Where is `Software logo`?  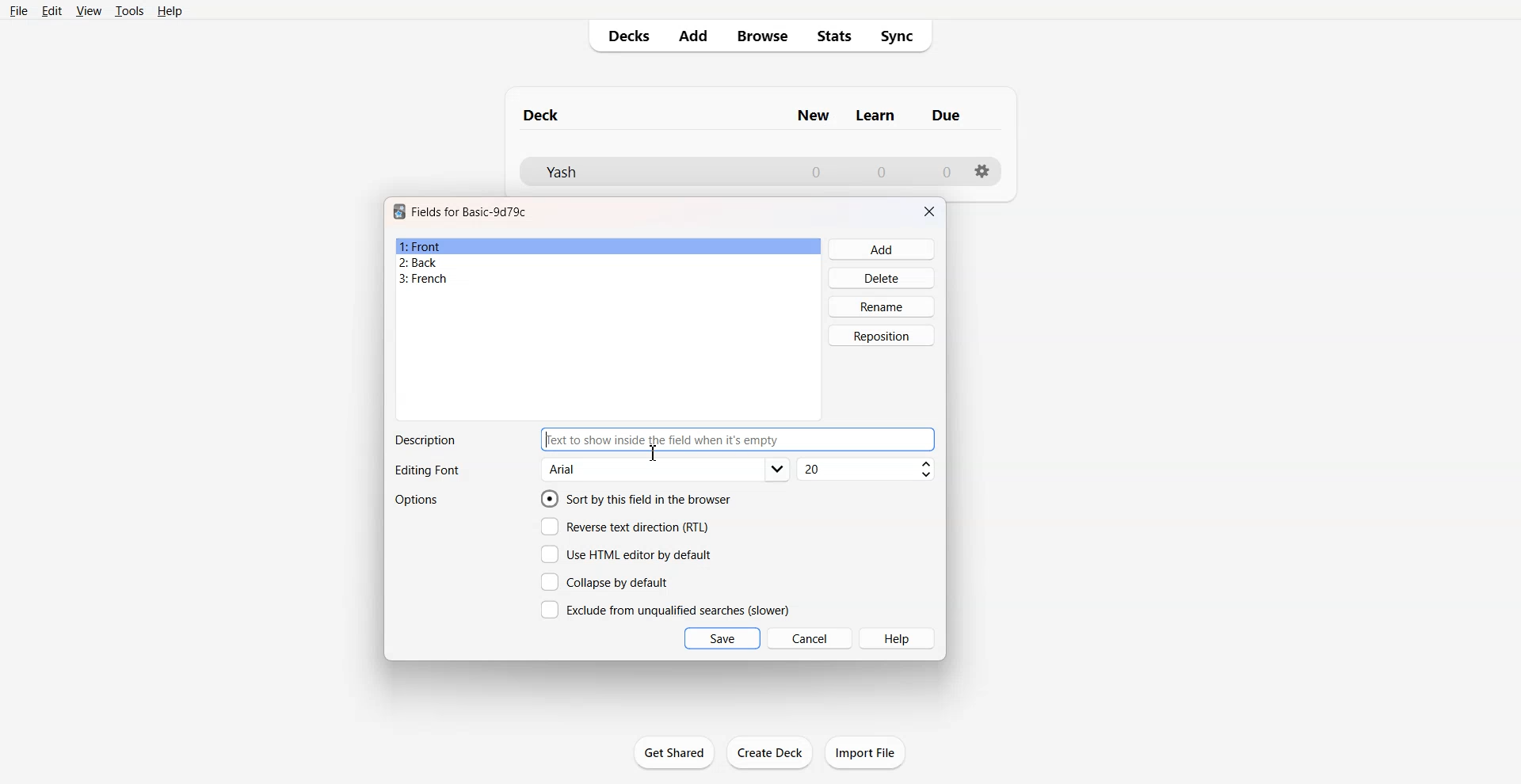
Software logo is located at coordinates (399, 211).